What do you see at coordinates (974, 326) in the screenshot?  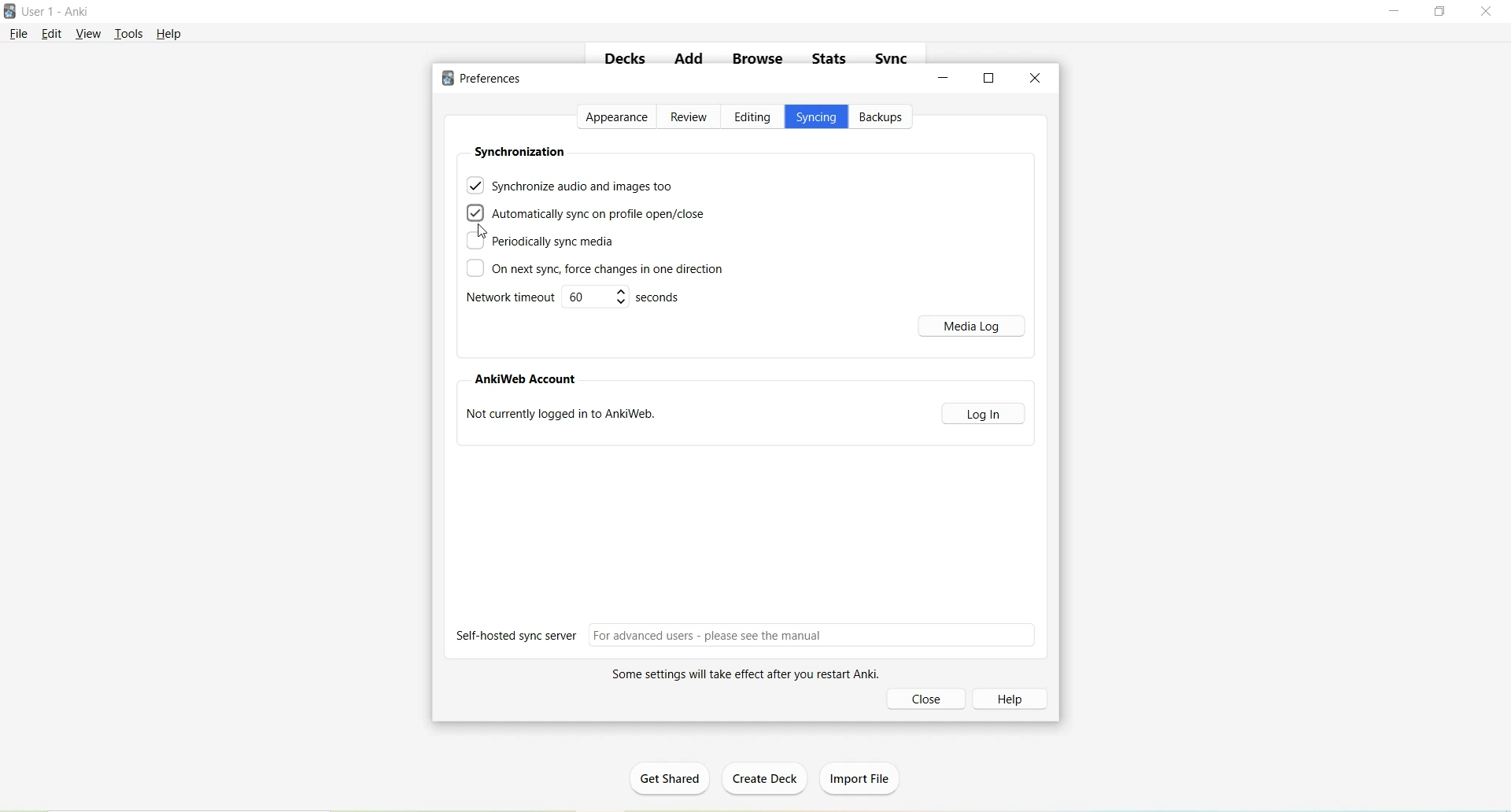 I see `Media log` at bounding box center [974, 326].